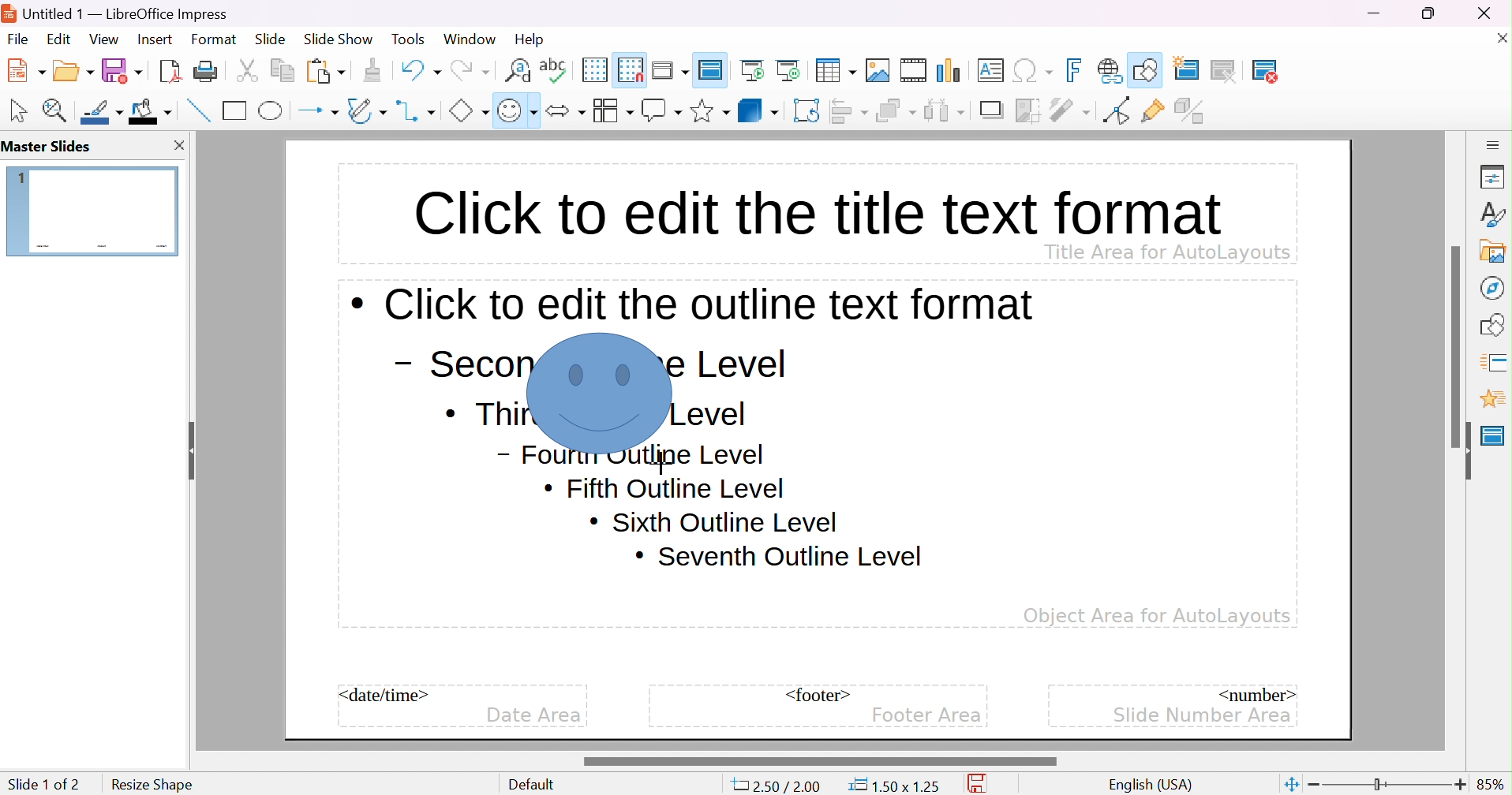  I want to click on close, so click(178, 145).